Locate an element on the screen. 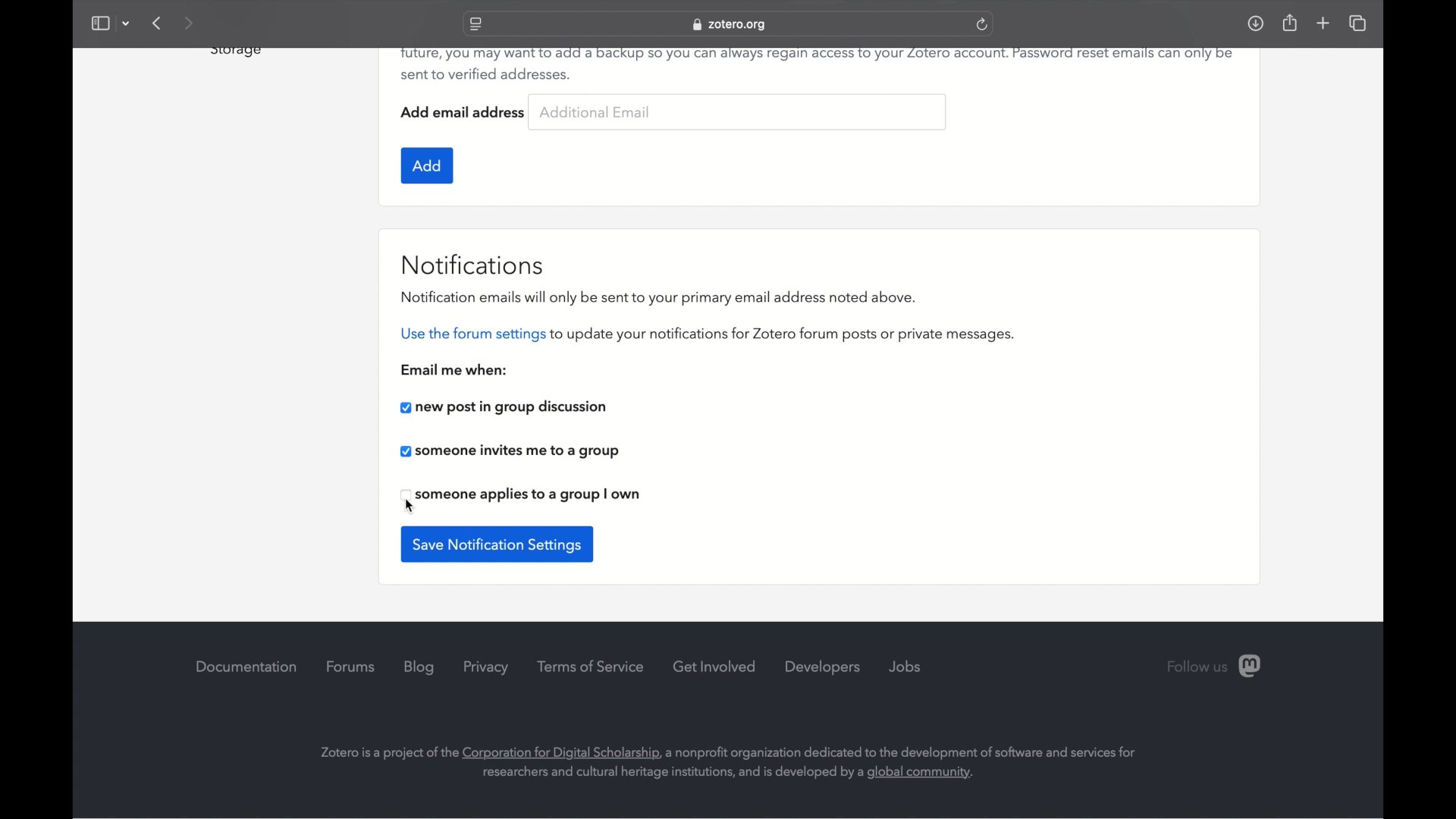 This screenshot has height=819, width=1456. previous is located at coordinates (158, 23).